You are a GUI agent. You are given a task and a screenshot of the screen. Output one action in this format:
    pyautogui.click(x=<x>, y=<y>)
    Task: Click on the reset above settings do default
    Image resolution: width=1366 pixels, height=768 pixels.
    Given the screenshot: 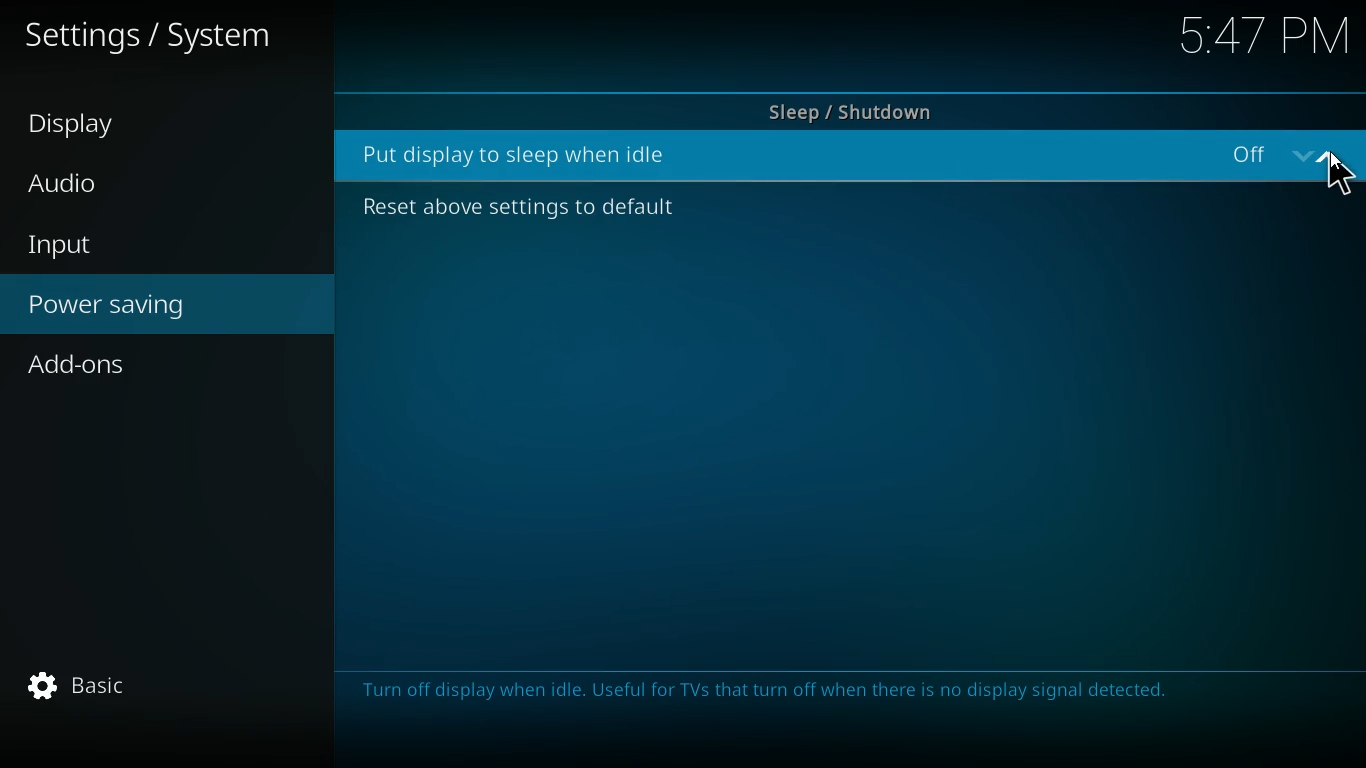 What is the action you would take?
    pyautogui.click(x=510, y=210)
    